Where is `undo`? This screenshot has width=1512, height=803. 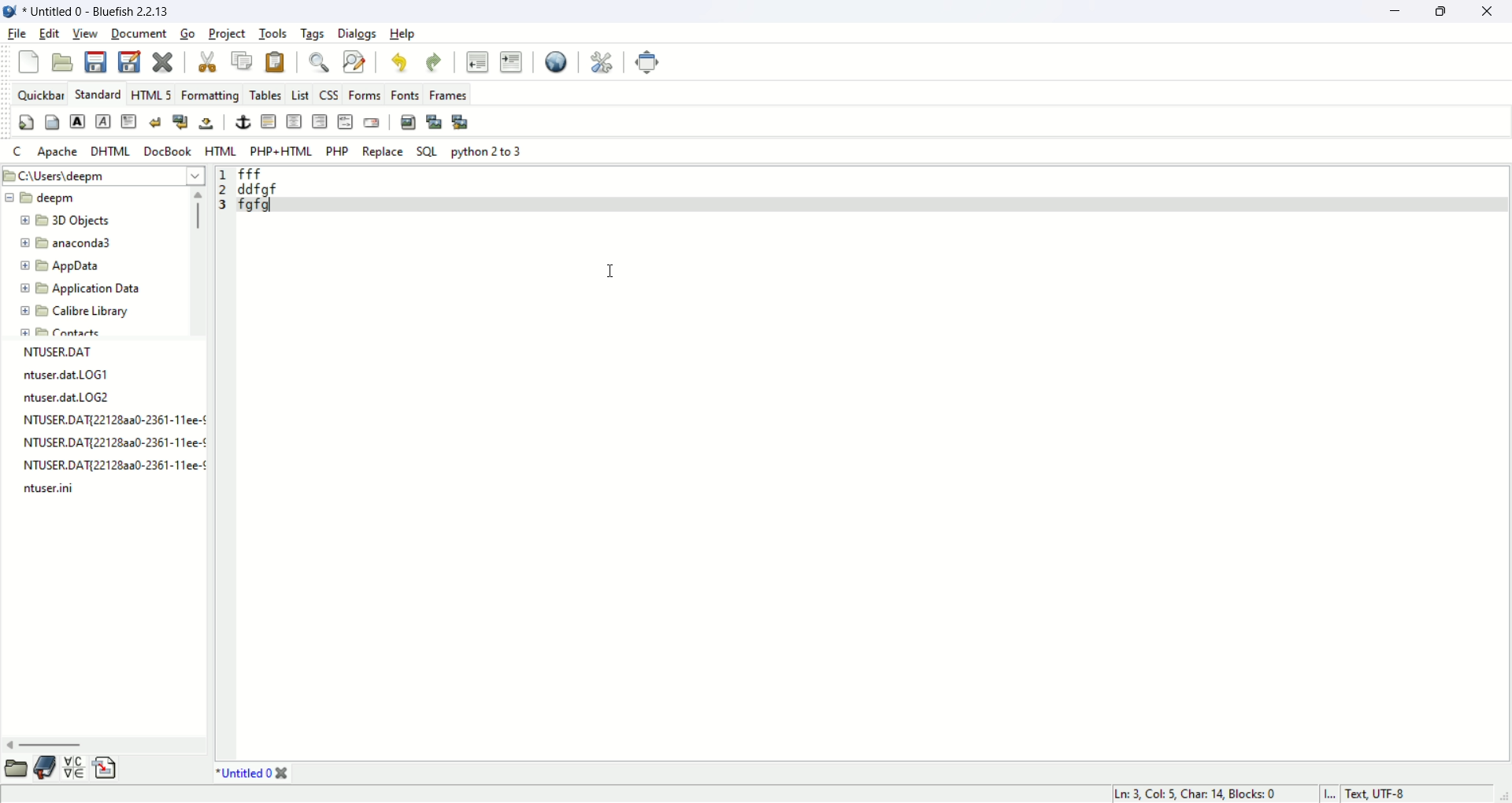 undo is located at coordinates (401, 61).